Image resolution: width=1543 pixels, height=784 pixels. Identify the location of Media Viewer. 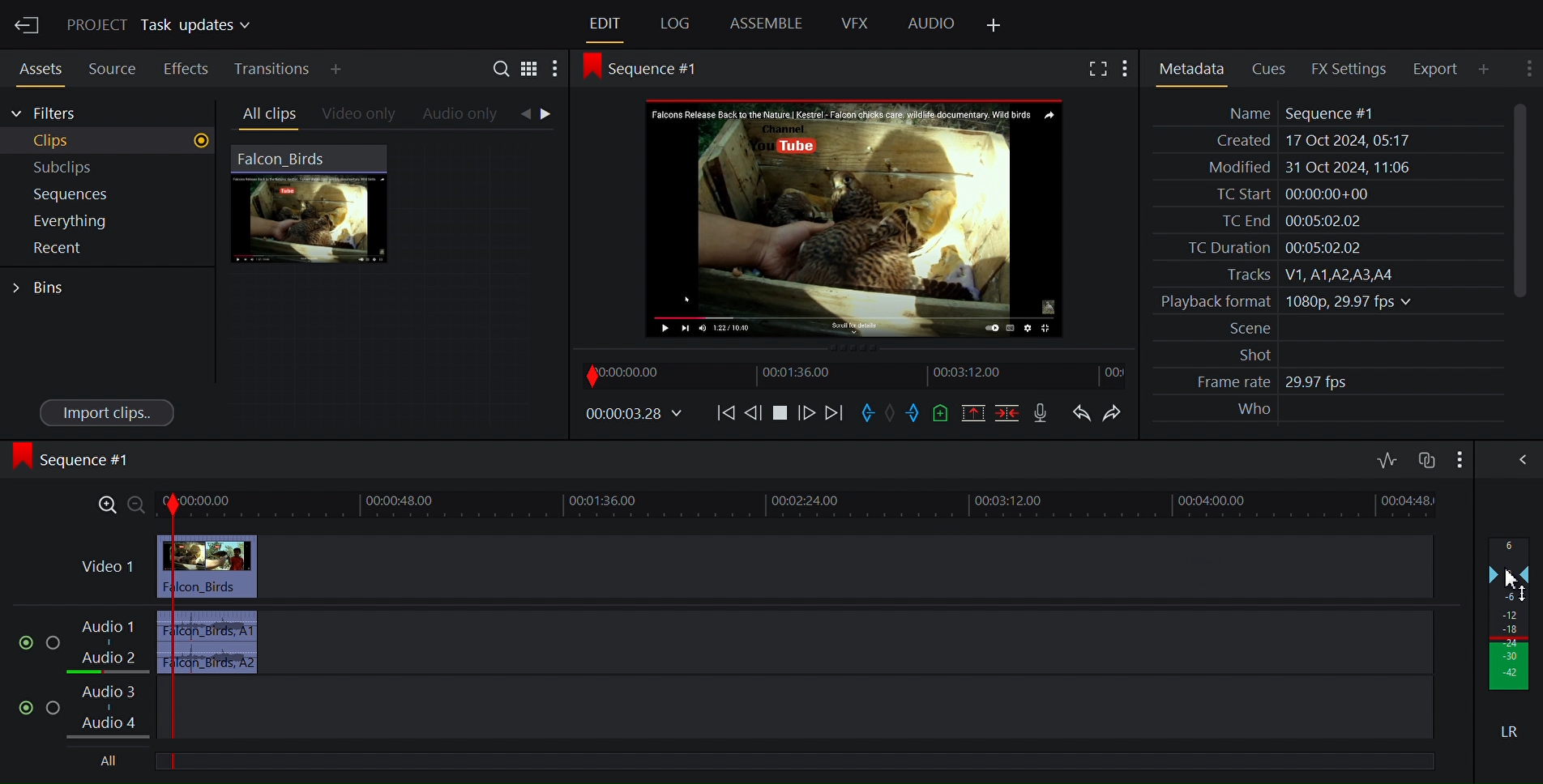
(853, 216).